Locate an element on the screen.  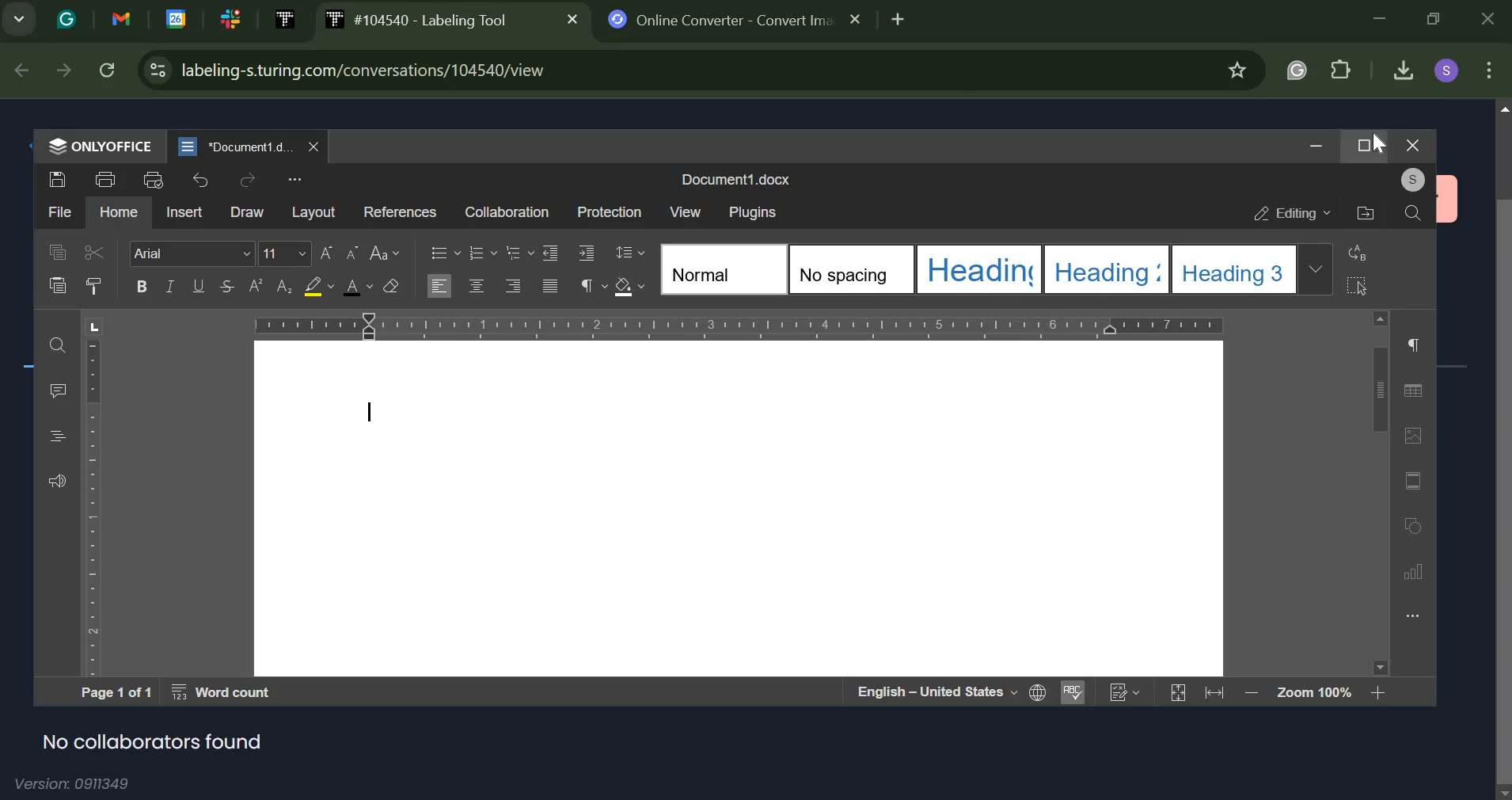
add new tab is located at coordinates (901, 21).